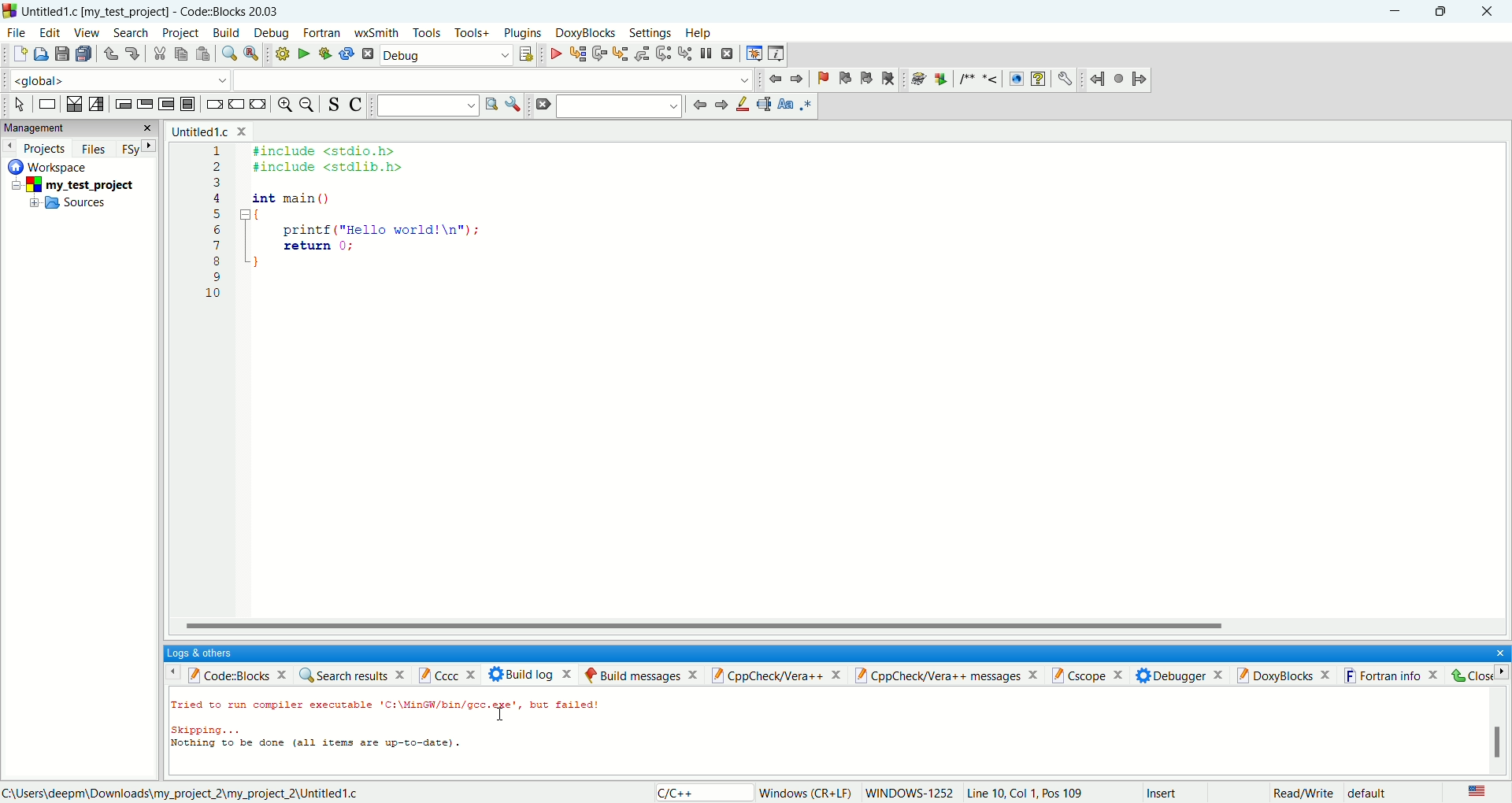 The width and height of the screenshot is (1512, 803). I want to click on run, so click(300, 54).